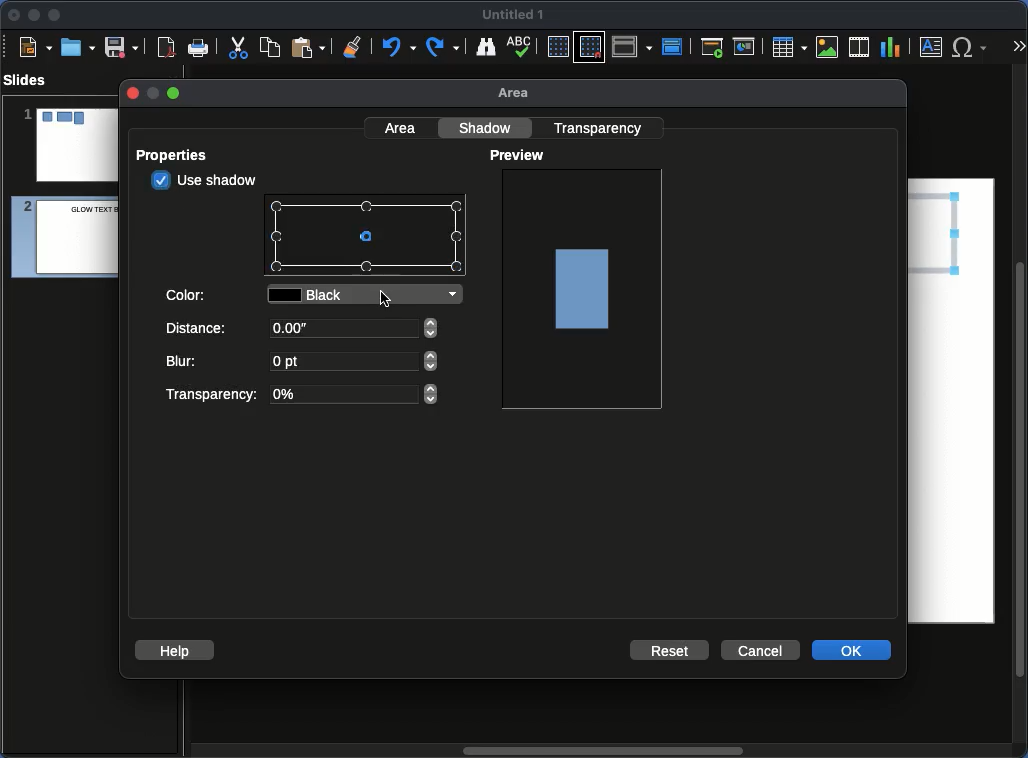 The image size is (1028, 758). I want to click on cursor, so click(387, 300).